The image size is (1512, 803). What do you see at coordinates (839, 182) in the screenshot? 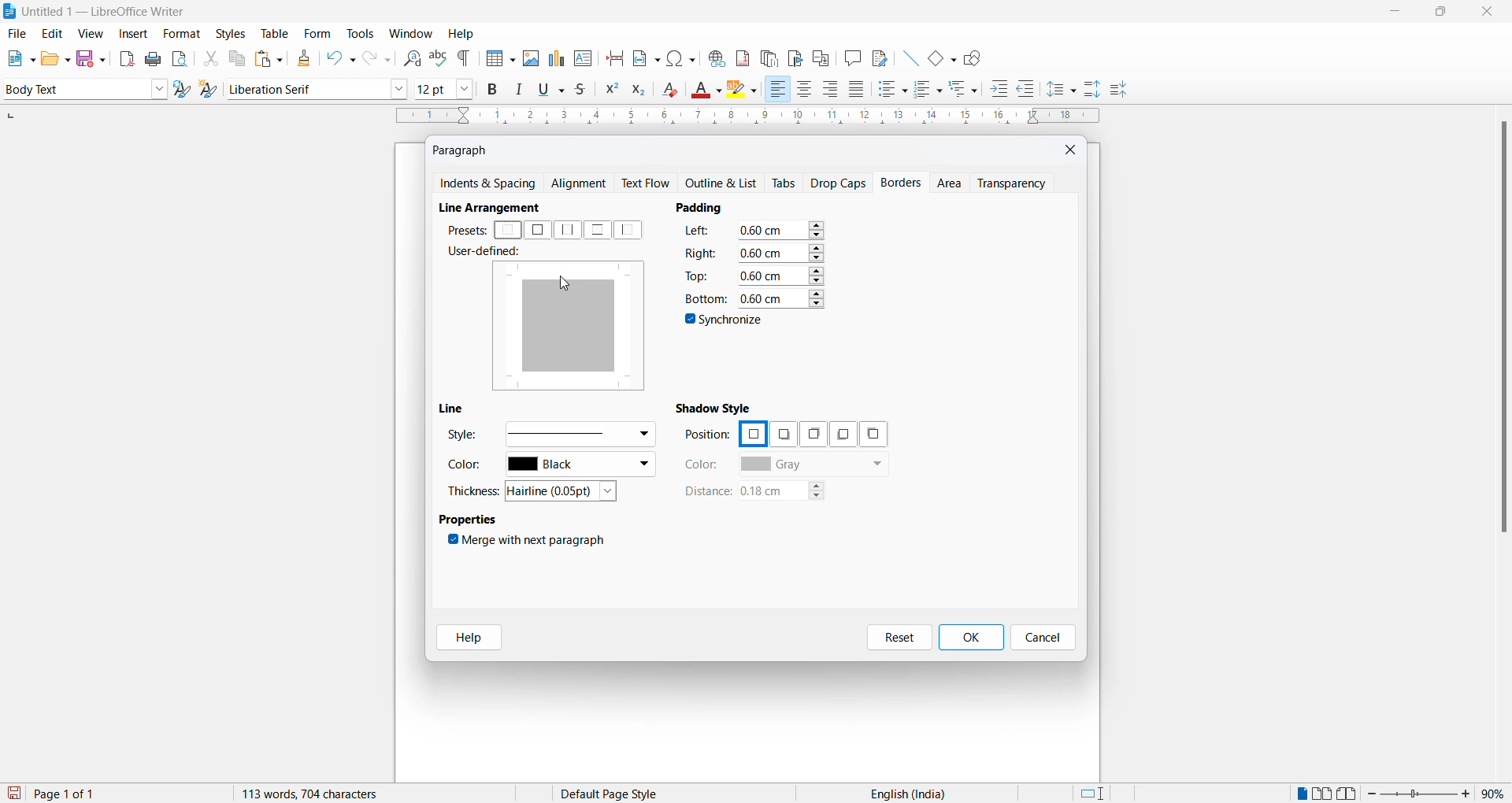
I see `drop caps` at bounding box center [839, 182].